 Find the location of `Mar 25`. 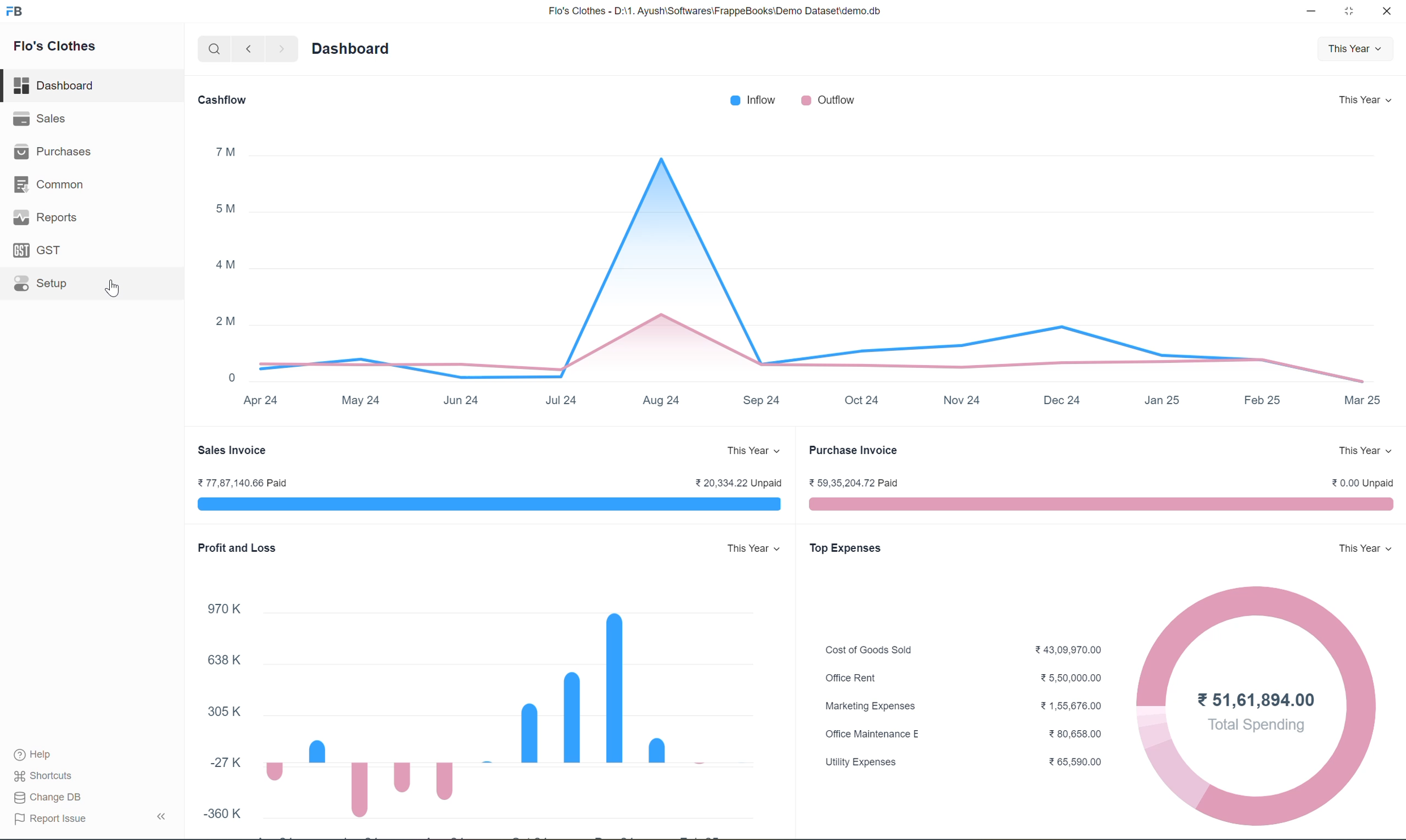

Mar 25 is located at coordinates (1369, 402).